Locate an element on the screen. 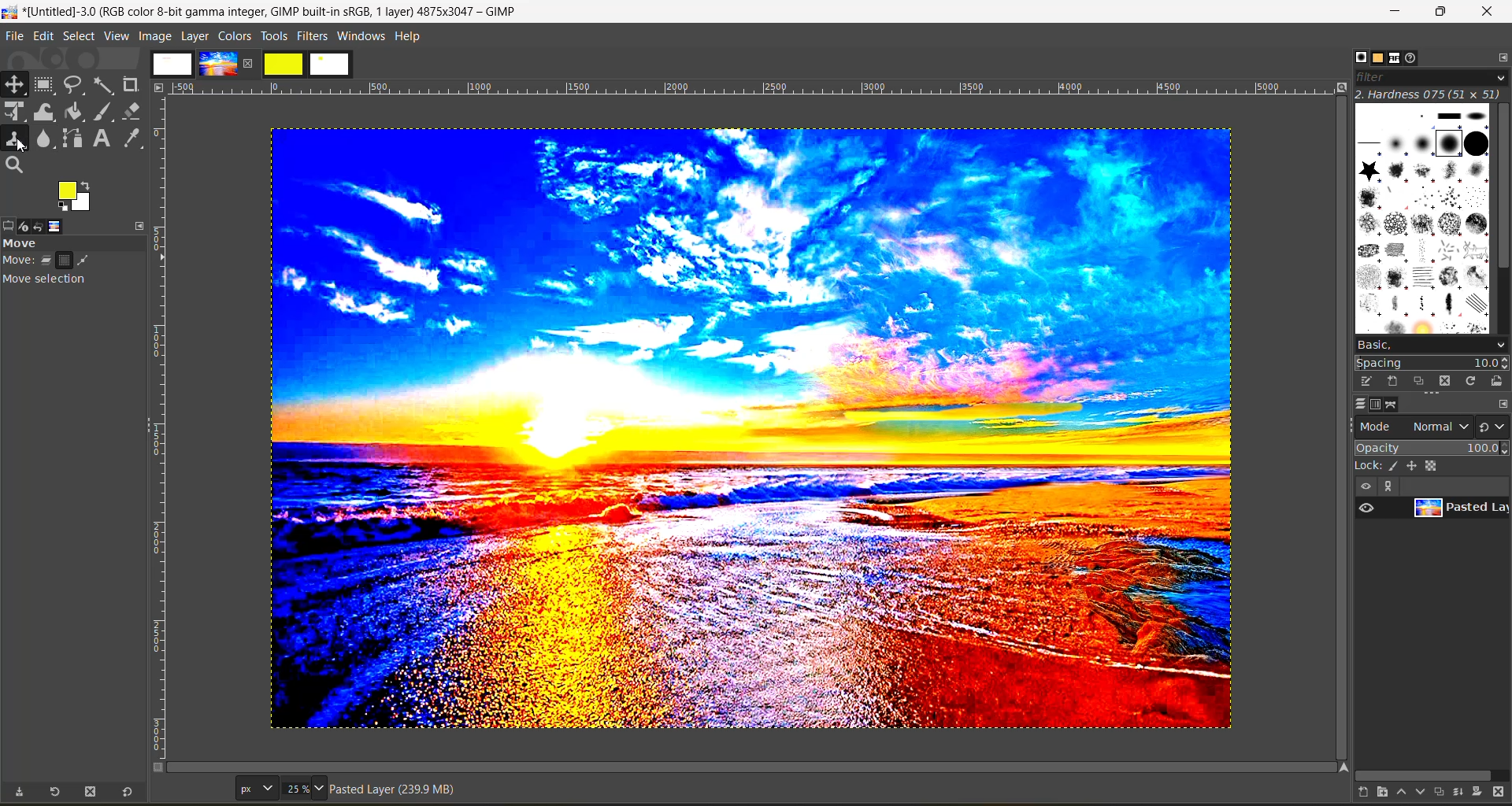 Image resolution: width=1512 pixels, height=806 pixels. channels is located at coordinates (1378, 405).